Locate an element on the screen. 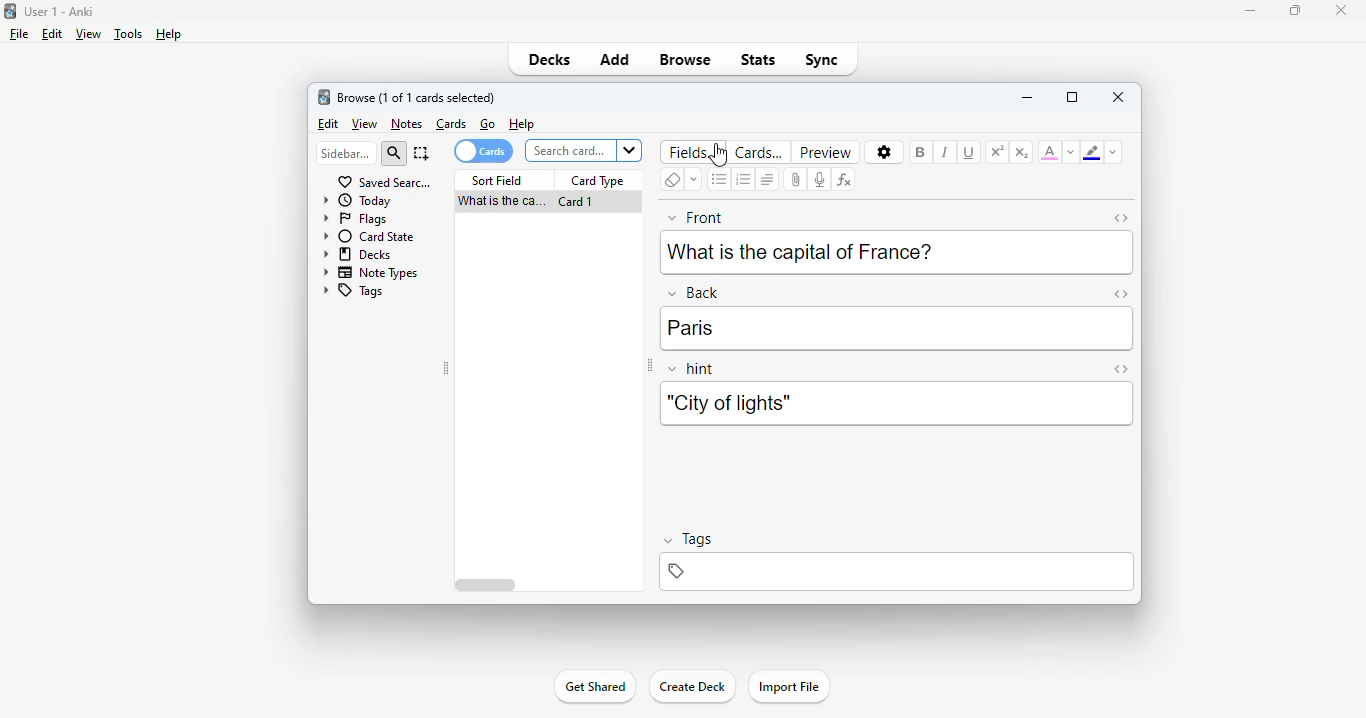 This screenshot has height=718, width=1366. minimize is located at coordinates (1027, 96).